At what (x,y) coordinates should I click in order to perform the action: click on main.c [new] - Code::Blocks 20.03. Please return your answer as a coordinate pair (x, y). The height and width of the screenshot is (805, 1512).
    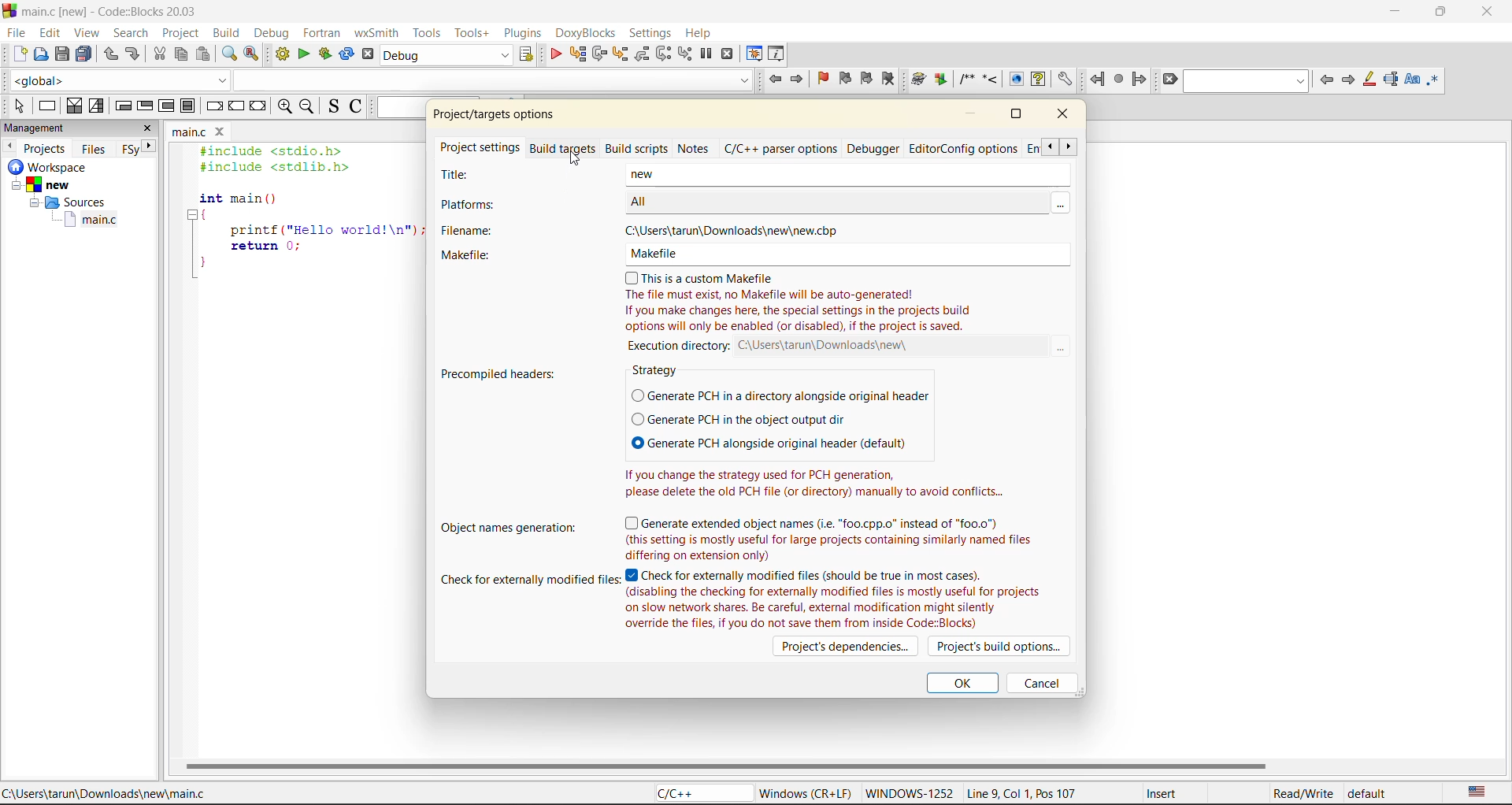
    Looking at the image, I should click on (126, 12).